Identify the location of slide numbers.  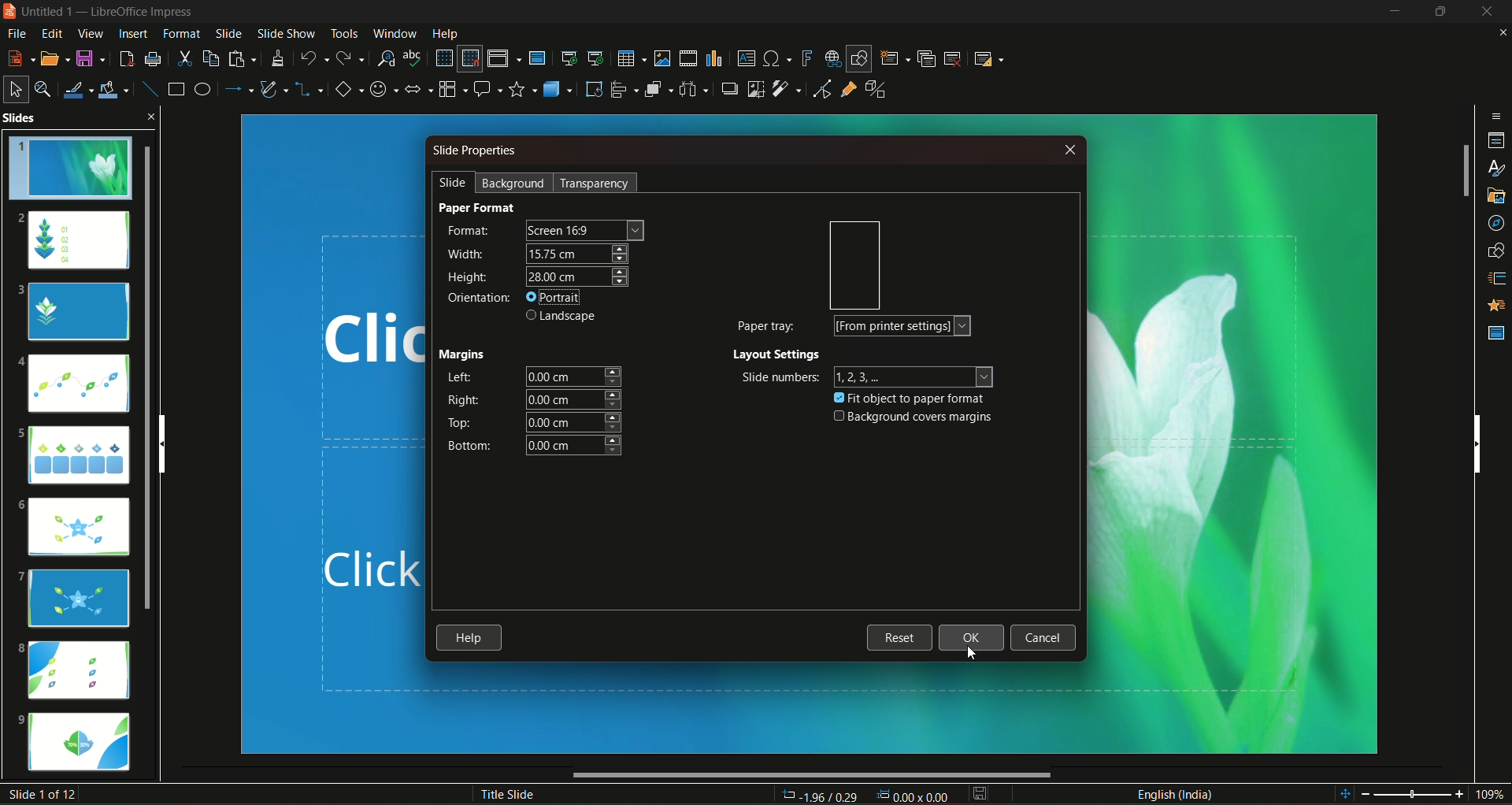
(777, 377).